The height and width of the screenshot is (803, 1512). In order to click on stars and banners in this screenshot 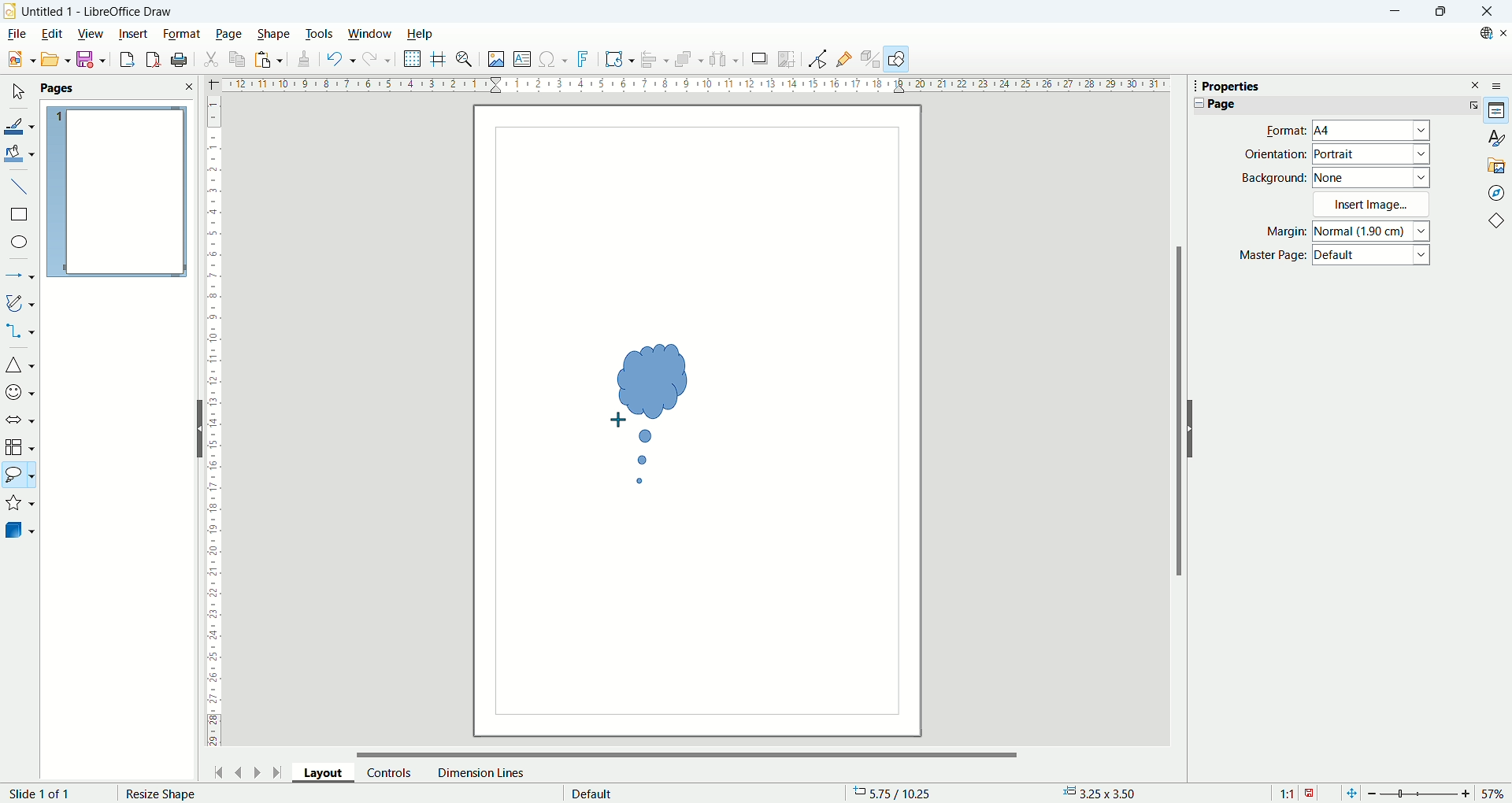, I will do `click(20, 505)`.